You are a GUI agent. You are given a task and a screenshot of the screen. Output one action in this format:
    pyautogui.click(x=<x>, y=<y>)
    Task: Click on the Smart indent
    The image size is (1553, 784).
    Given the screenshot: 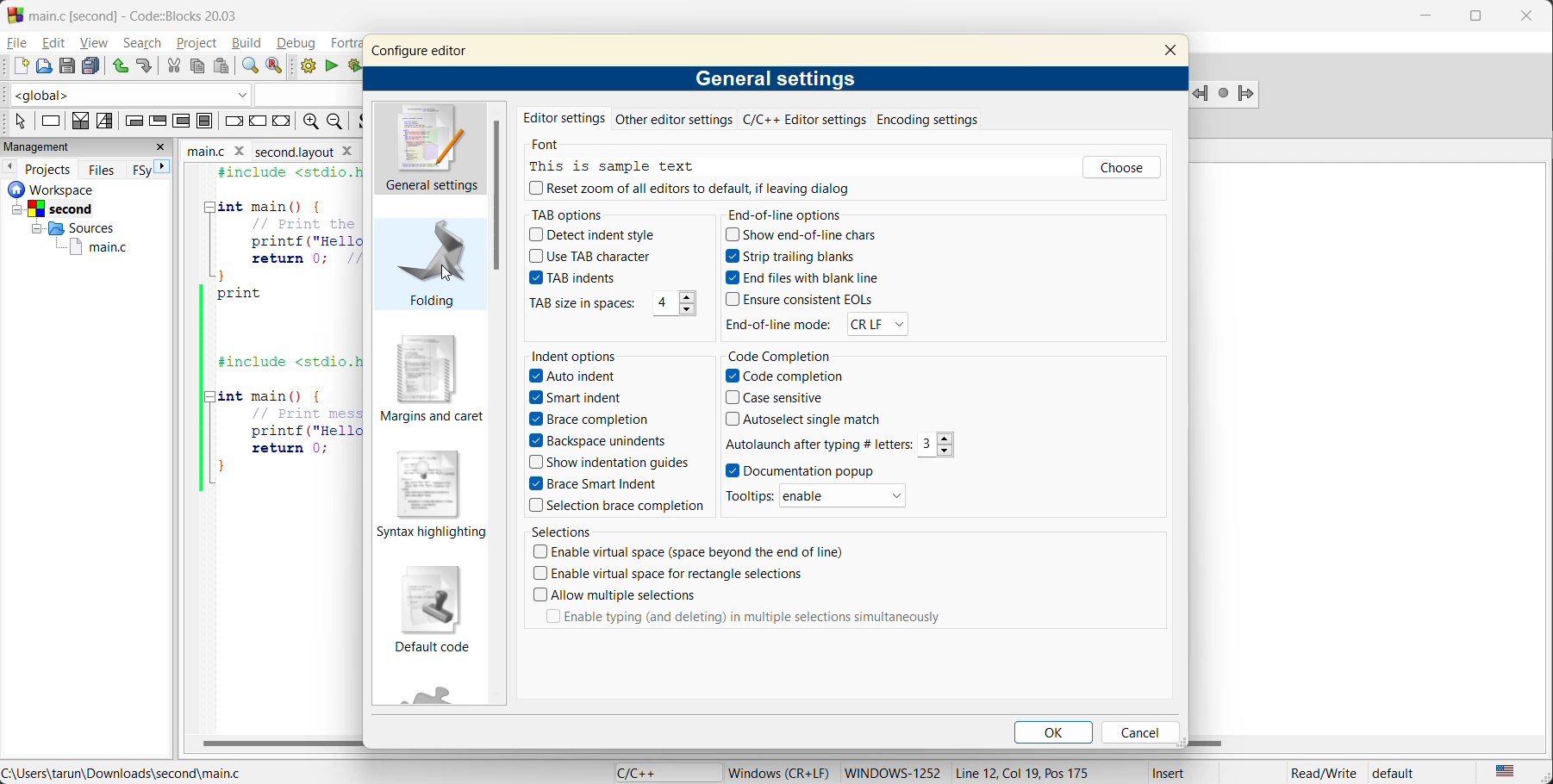 What is the action you would take?
    pyautogui.click(x=579, y=397)
    